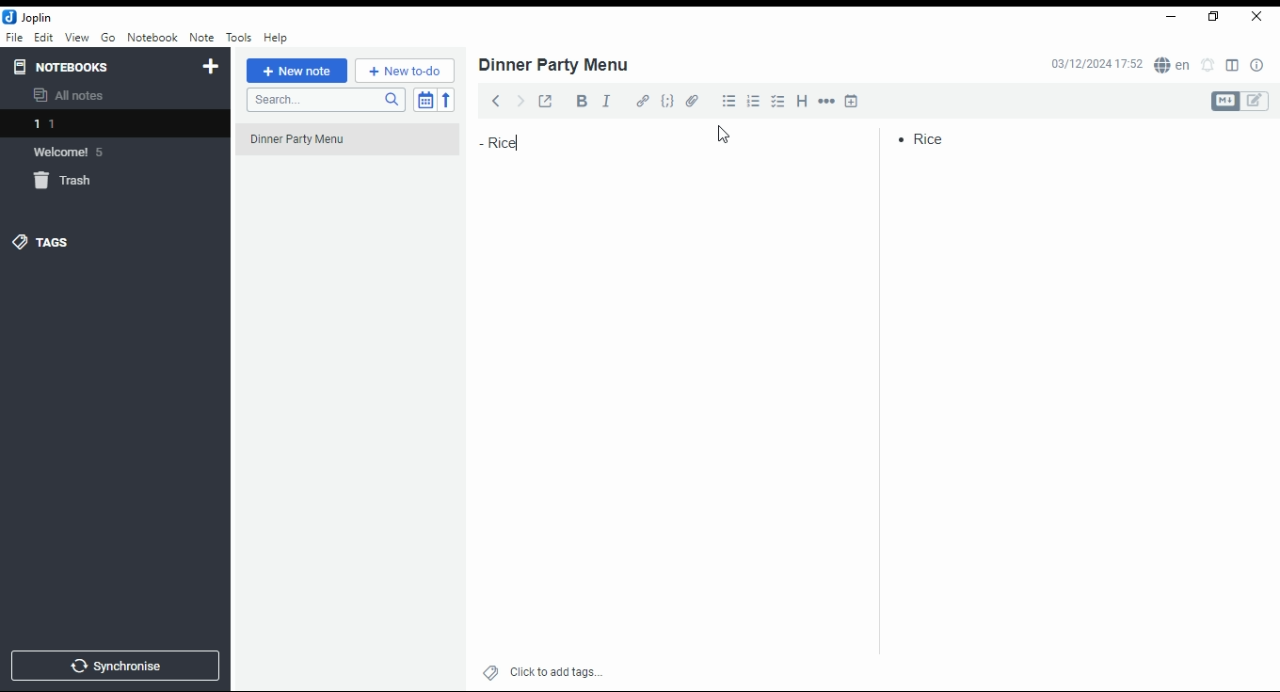  I want to click on trash, so click(66, 181).